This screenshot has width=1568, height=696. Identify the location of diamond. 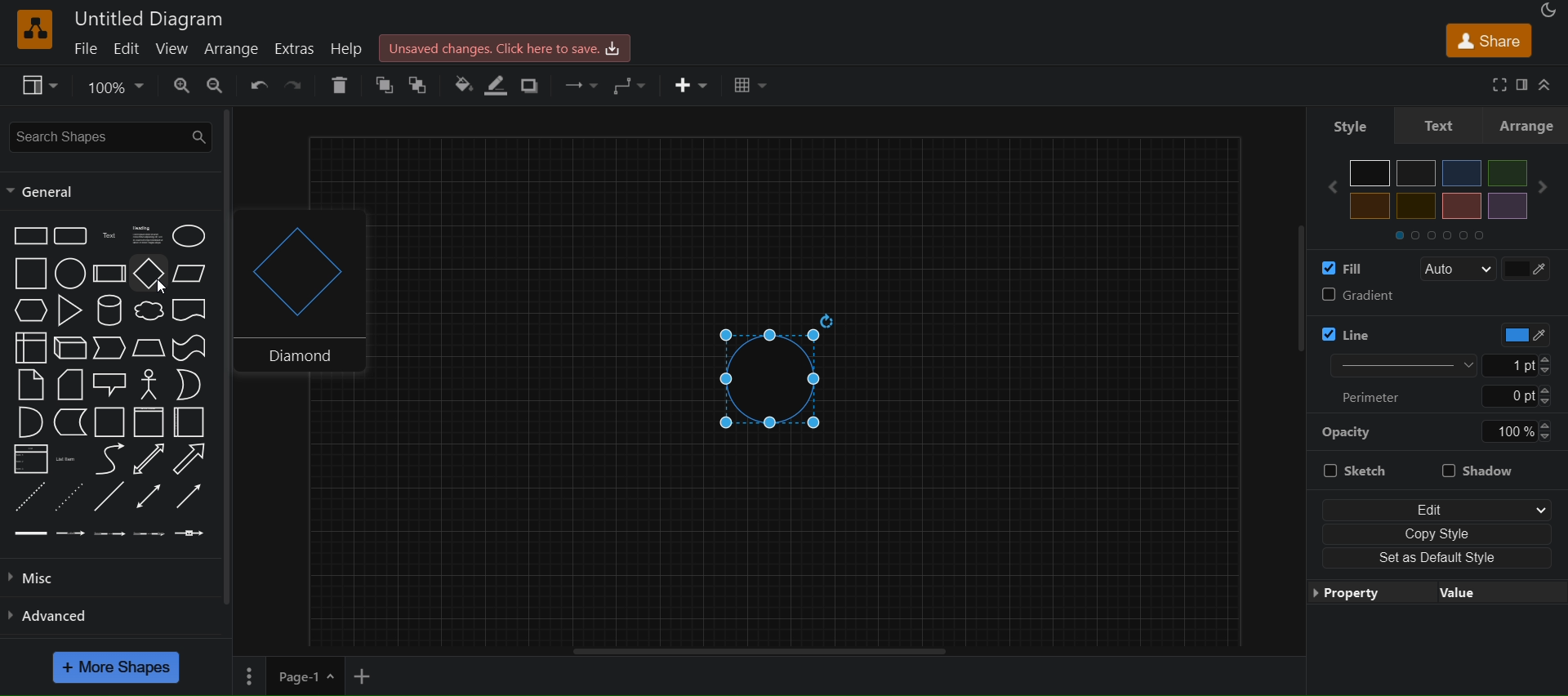
(149, 275).